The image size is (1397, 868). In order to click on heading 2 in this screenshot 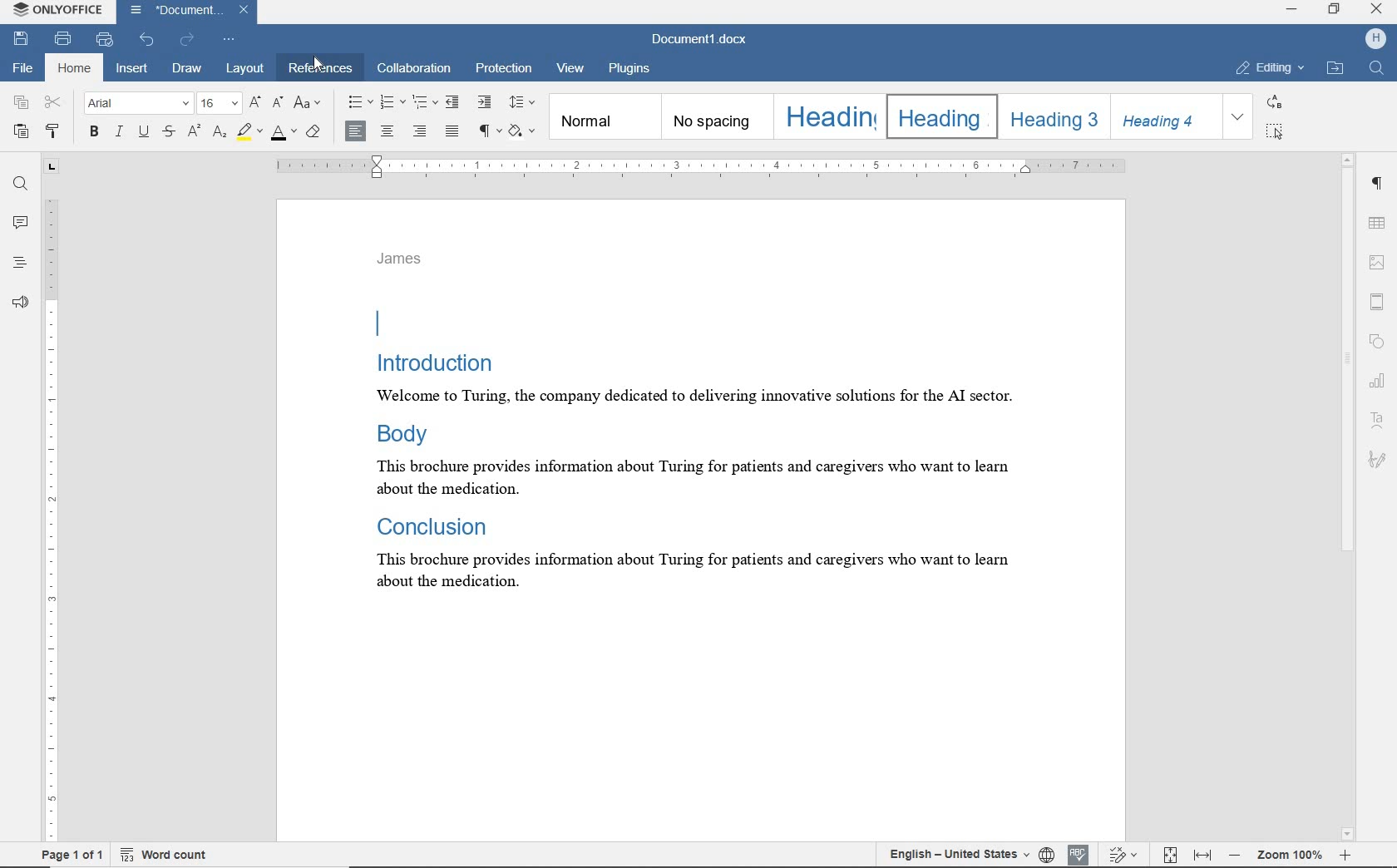, I will do `click(939, 116)`.